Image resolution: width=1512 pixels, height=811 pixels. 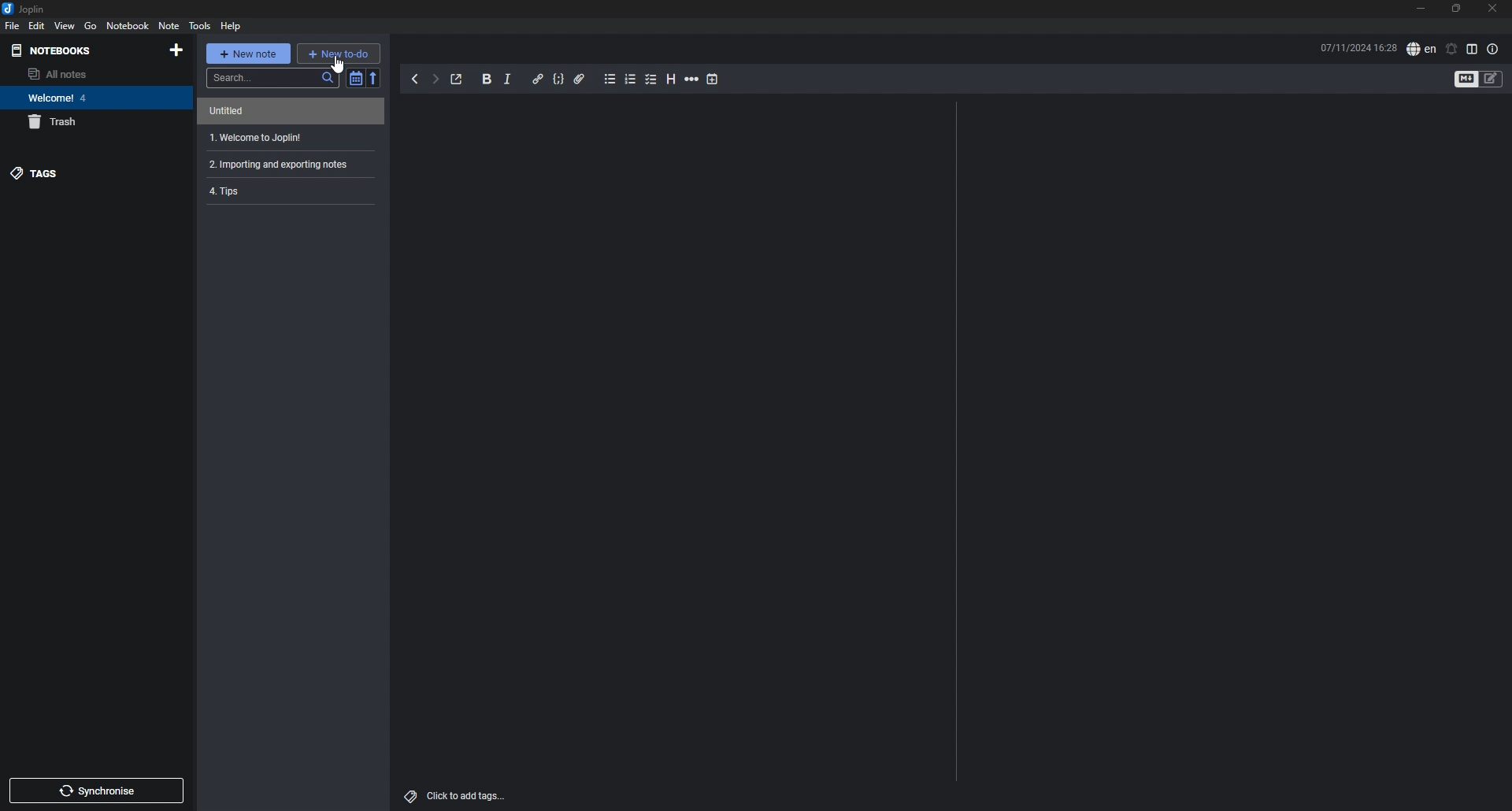 I want to click on Cursor, so click(x=337, y=63).